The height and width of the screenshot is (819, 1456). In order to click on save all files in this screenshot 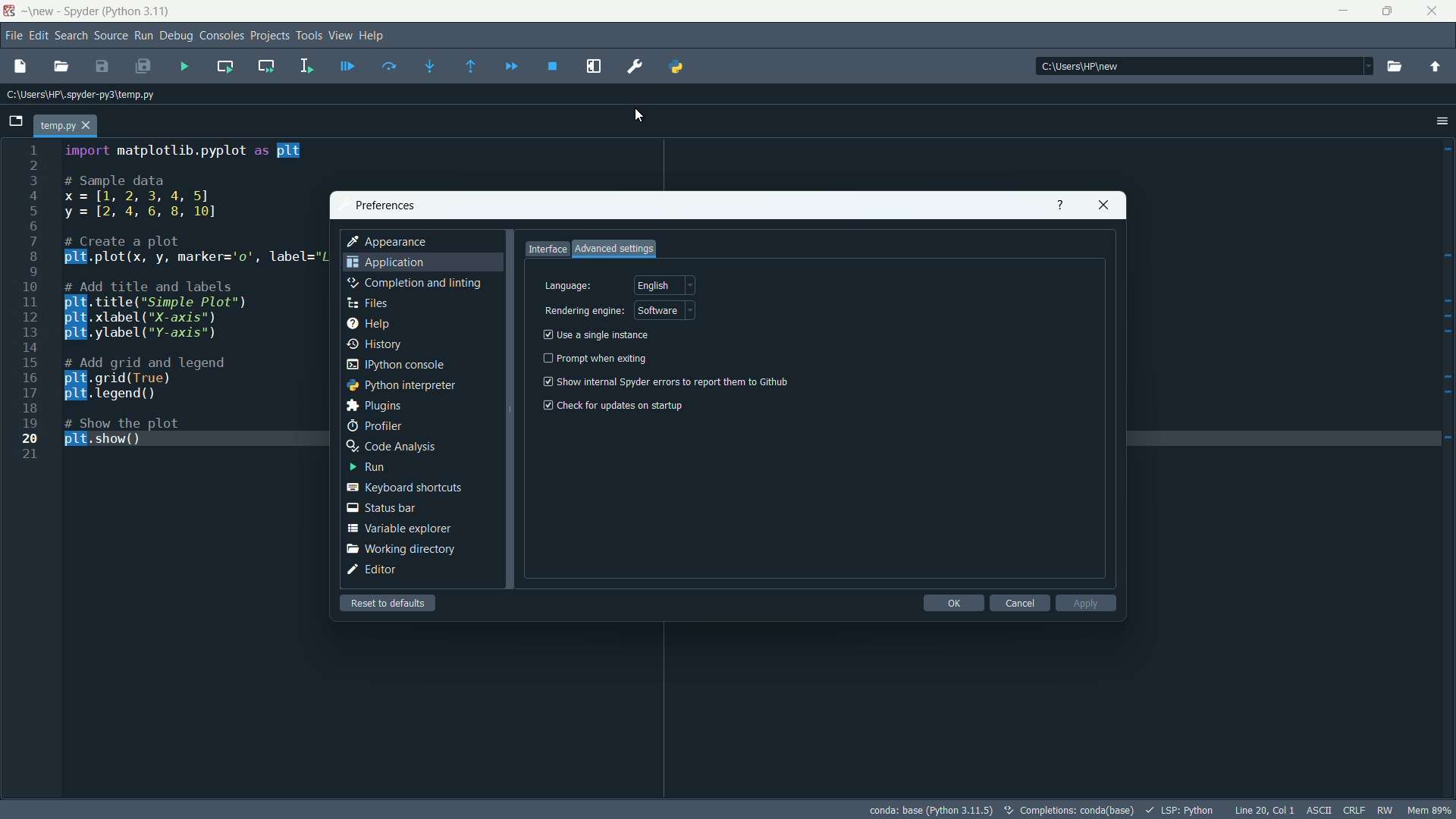, I will do `click(142, 67)`.